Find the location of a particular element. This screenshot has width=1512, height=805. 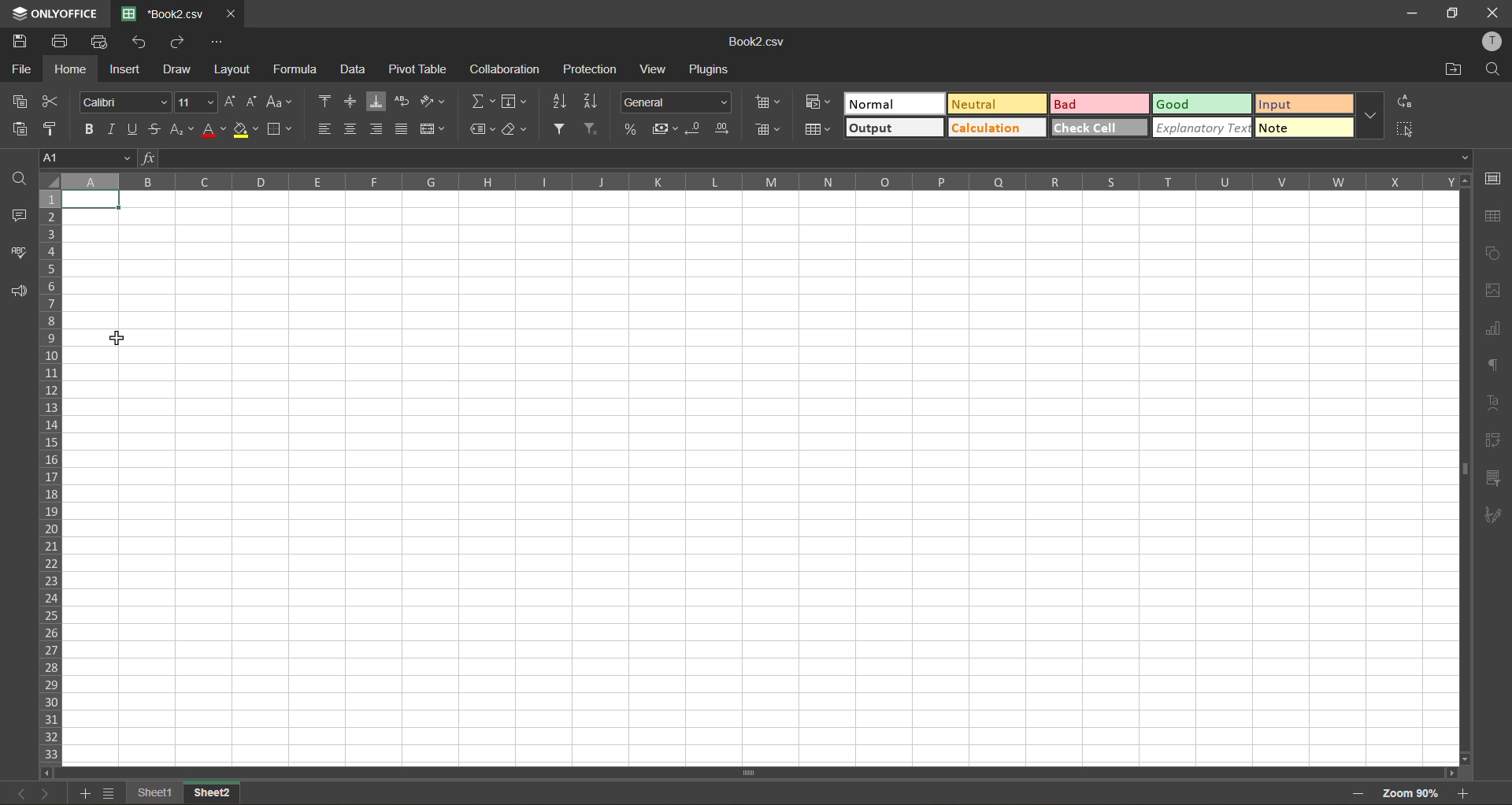

open location is located at coordinates (1451, 70).